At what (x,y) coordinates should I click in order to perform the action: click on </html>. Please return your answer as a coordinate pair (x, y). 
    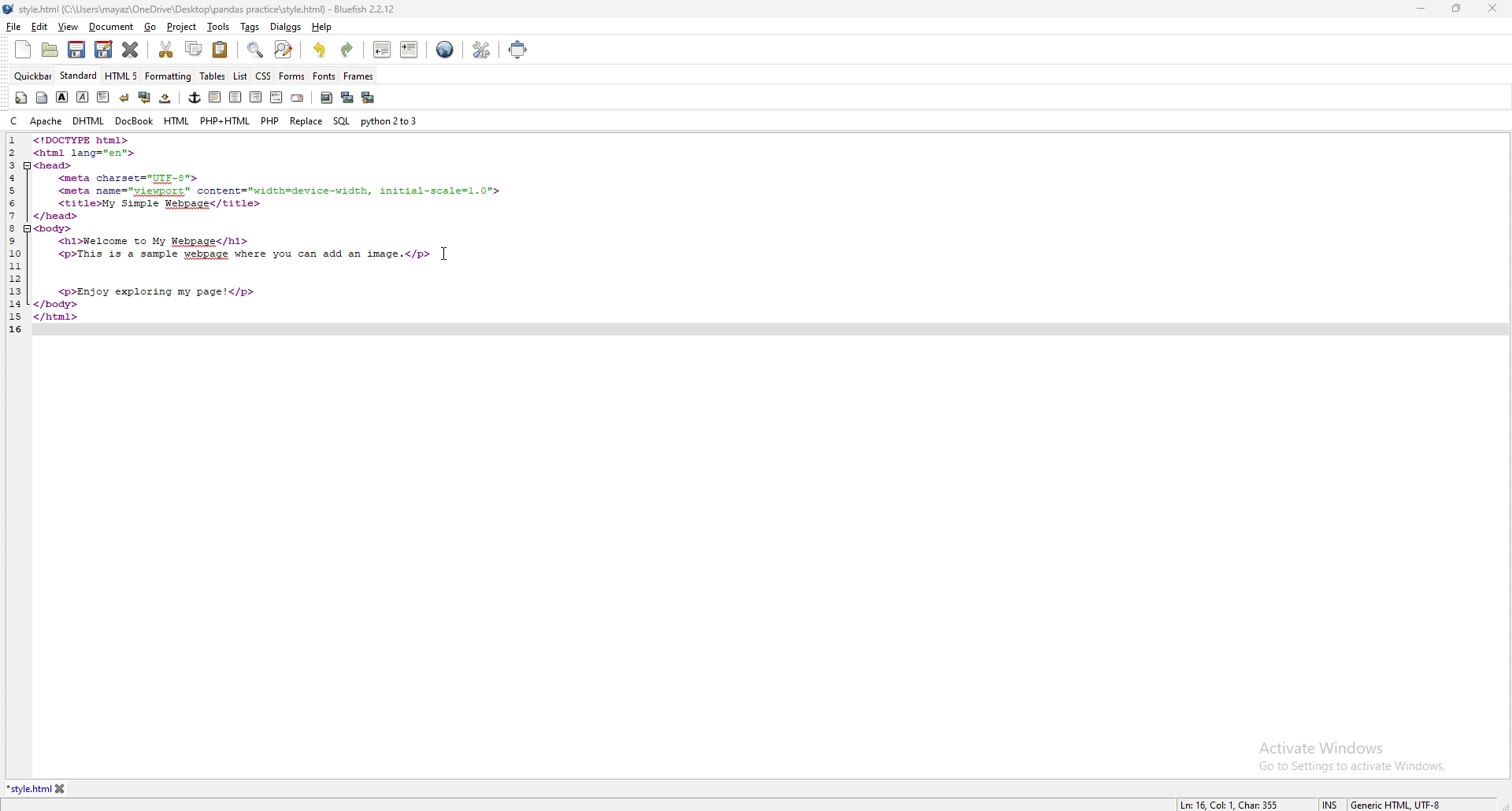
    Looking at the image, I should click on (57, 317).